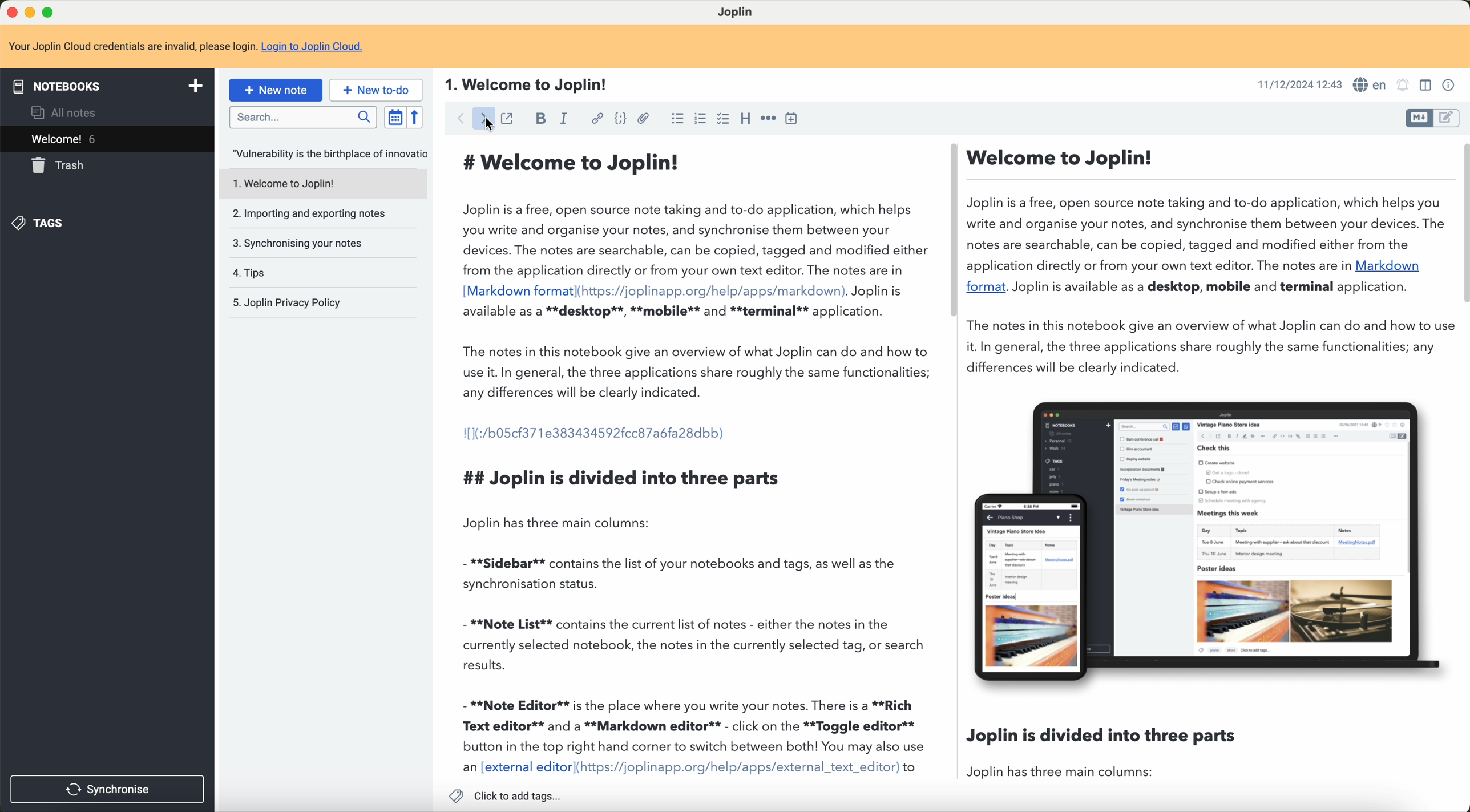  Describe the element at coordinates (318, 45) in the screenshot. I see `Login to Joplin Cloud.` at that location.